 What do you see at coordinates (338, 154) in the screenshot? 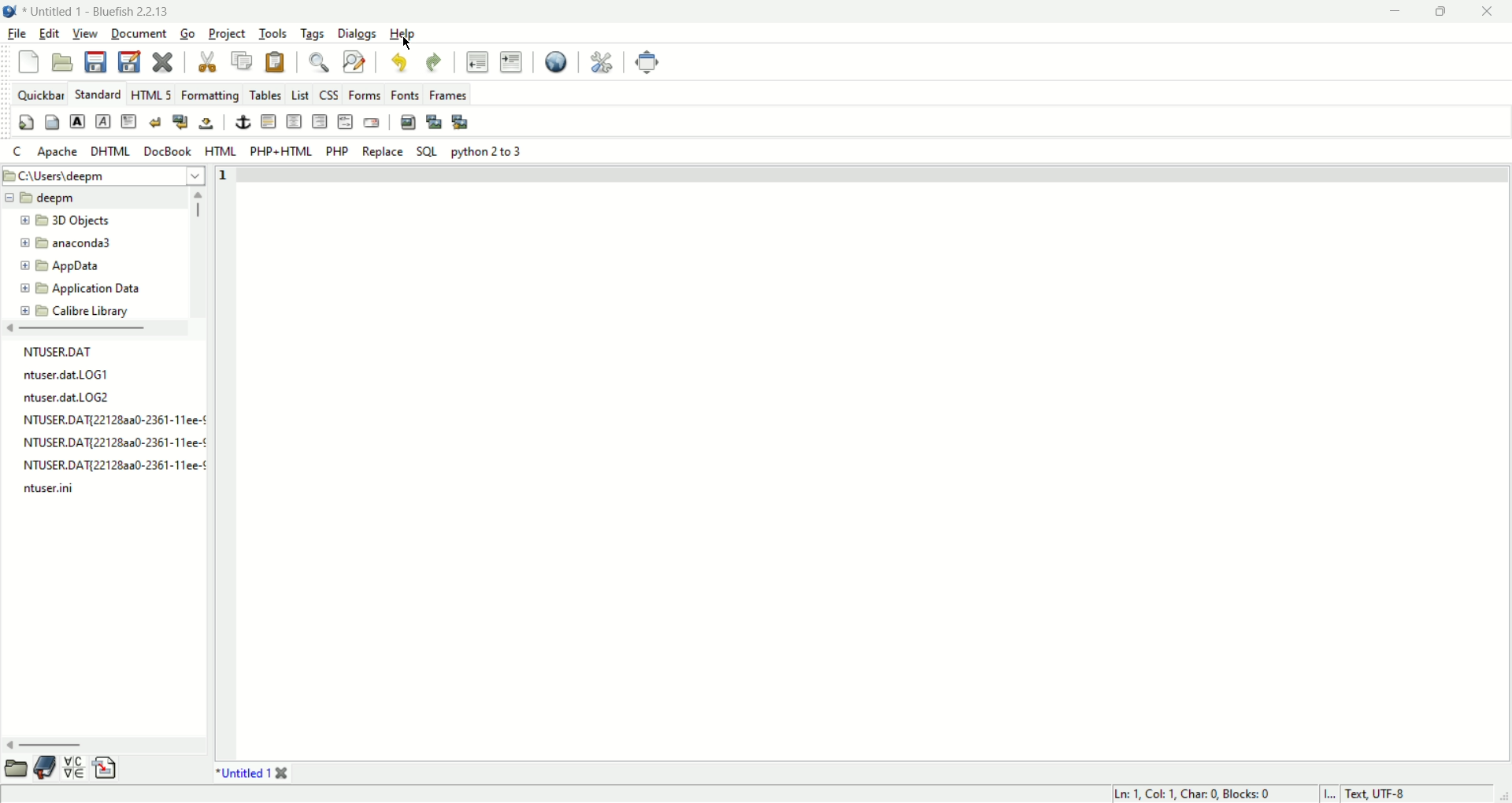
I see `PHP` at bounding box center [338, 154].